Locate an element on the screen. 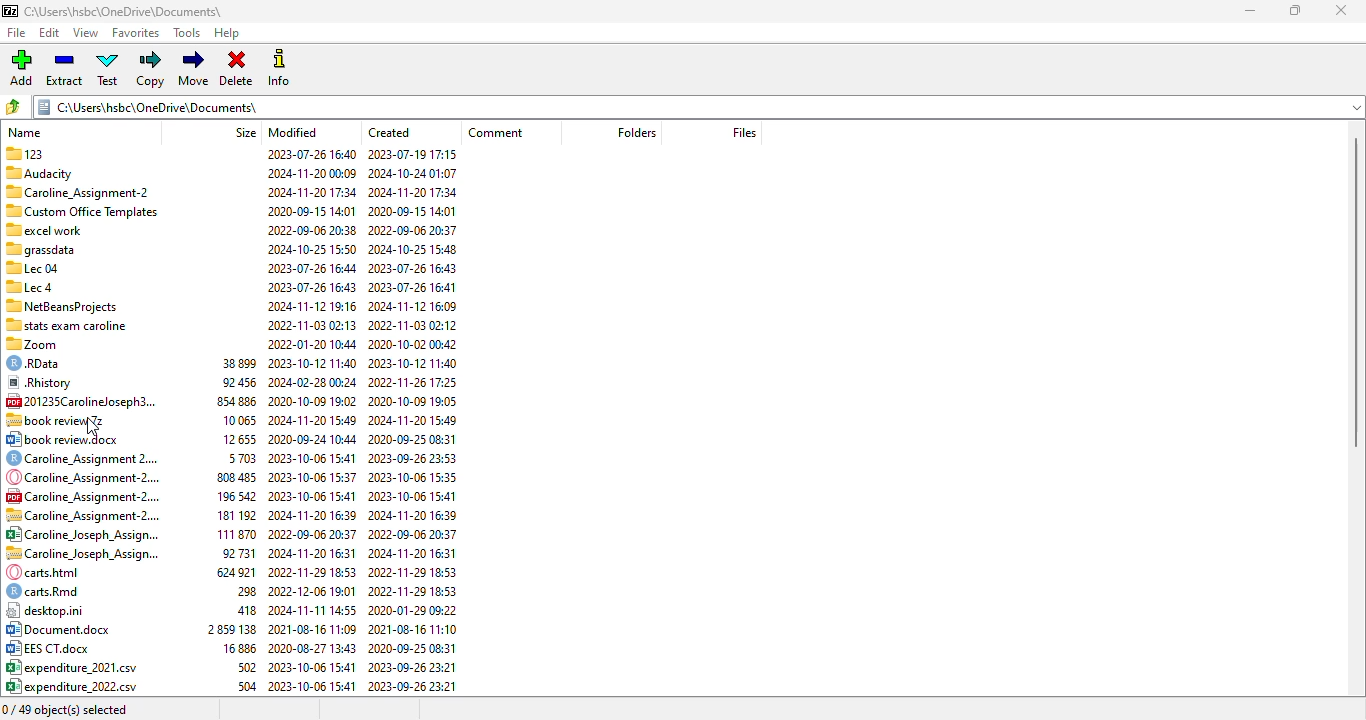 The image size is (1366, 720). copy is located at coordinates (149, 69).